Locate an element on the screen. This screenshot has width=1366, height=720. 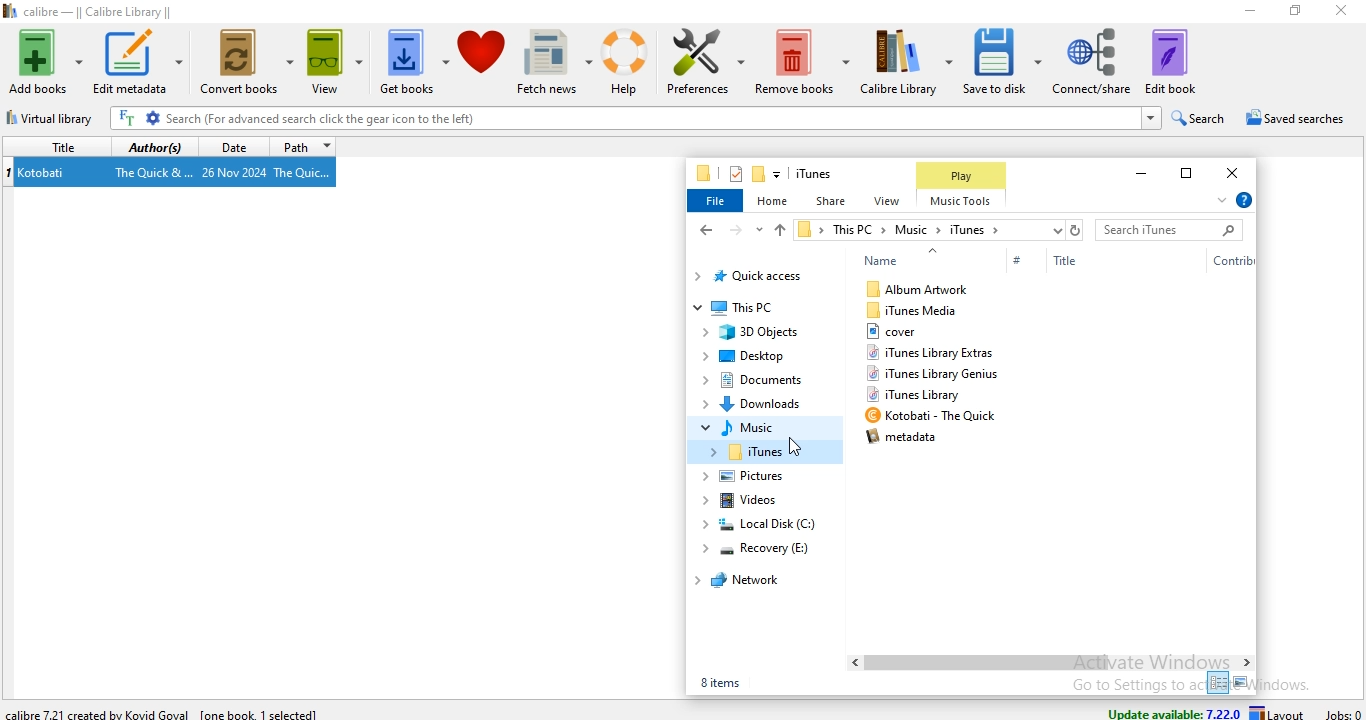
calibre library is located at coordinates (907, 61).